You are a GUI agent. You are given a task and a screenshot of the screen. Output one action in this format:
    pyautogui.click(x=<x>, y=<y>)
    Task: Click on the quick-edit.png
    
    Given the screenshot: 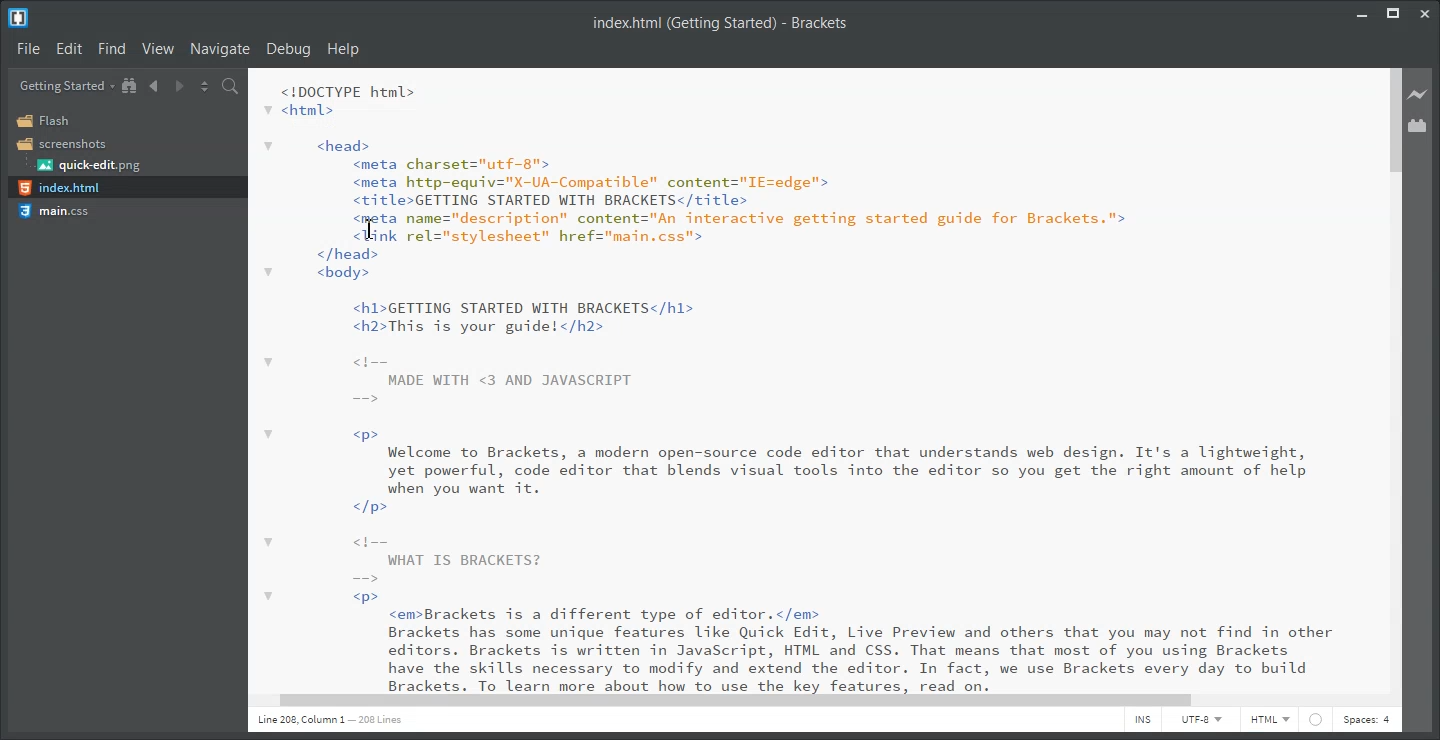 What is the action you would take?
    pyautogui.click(x=90, y=165)
    